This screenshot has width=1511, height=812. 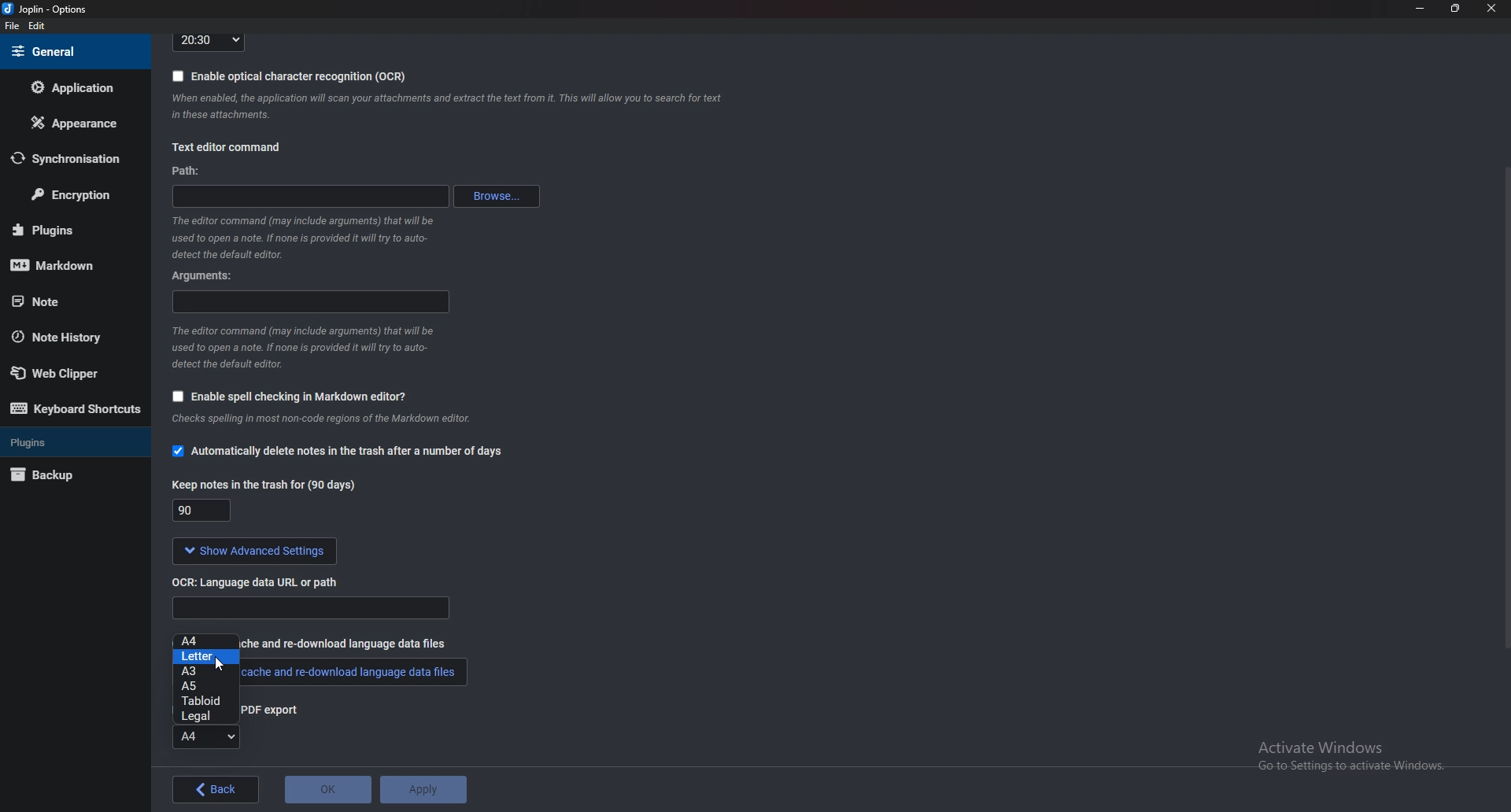 What do you see at coordinates (319, 423) in the screenshot?
I see `Info on spell checking` at bounding box center [319, 423].